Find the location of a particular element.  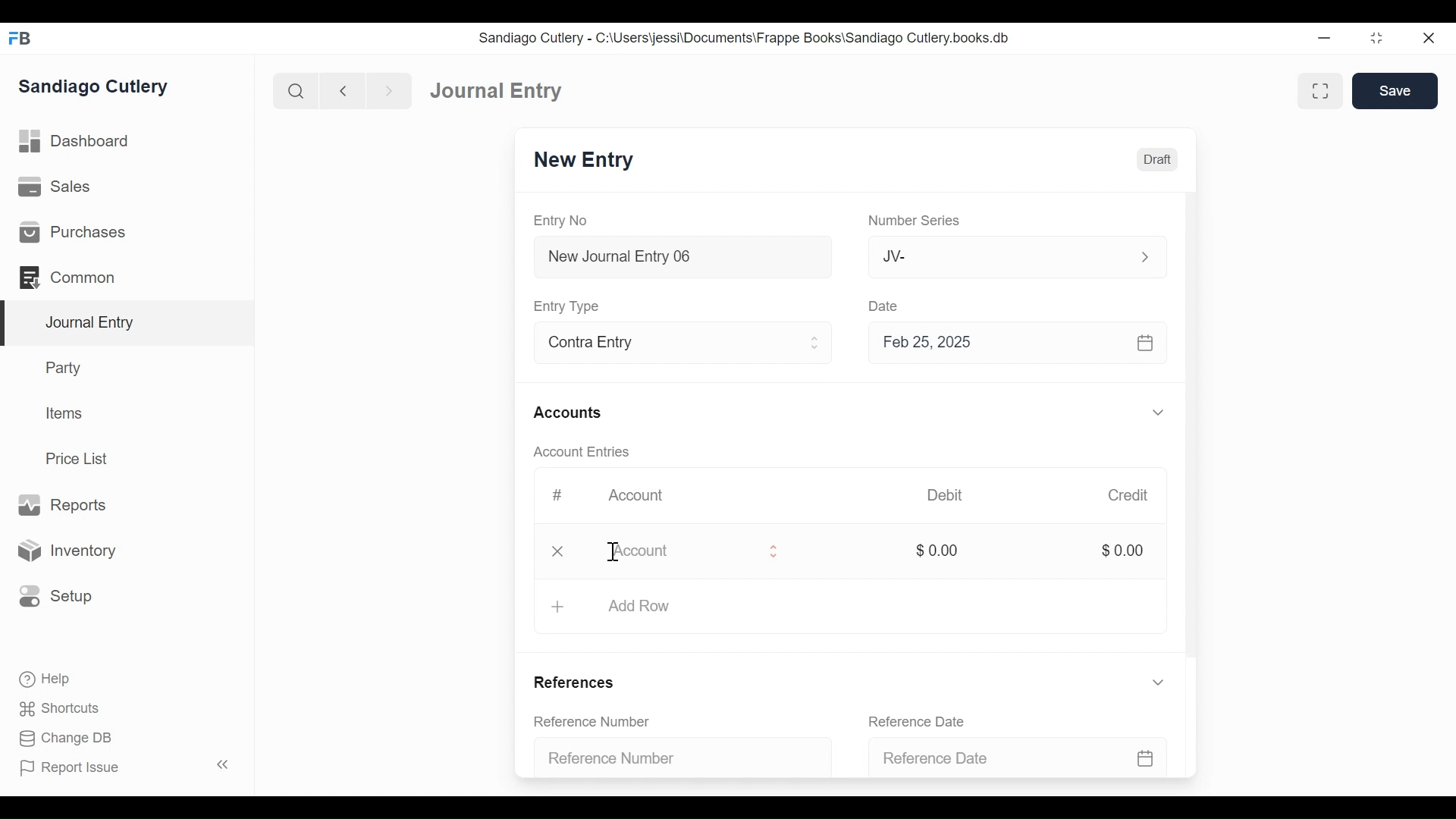

Price List is located at coordinates (82, 459).